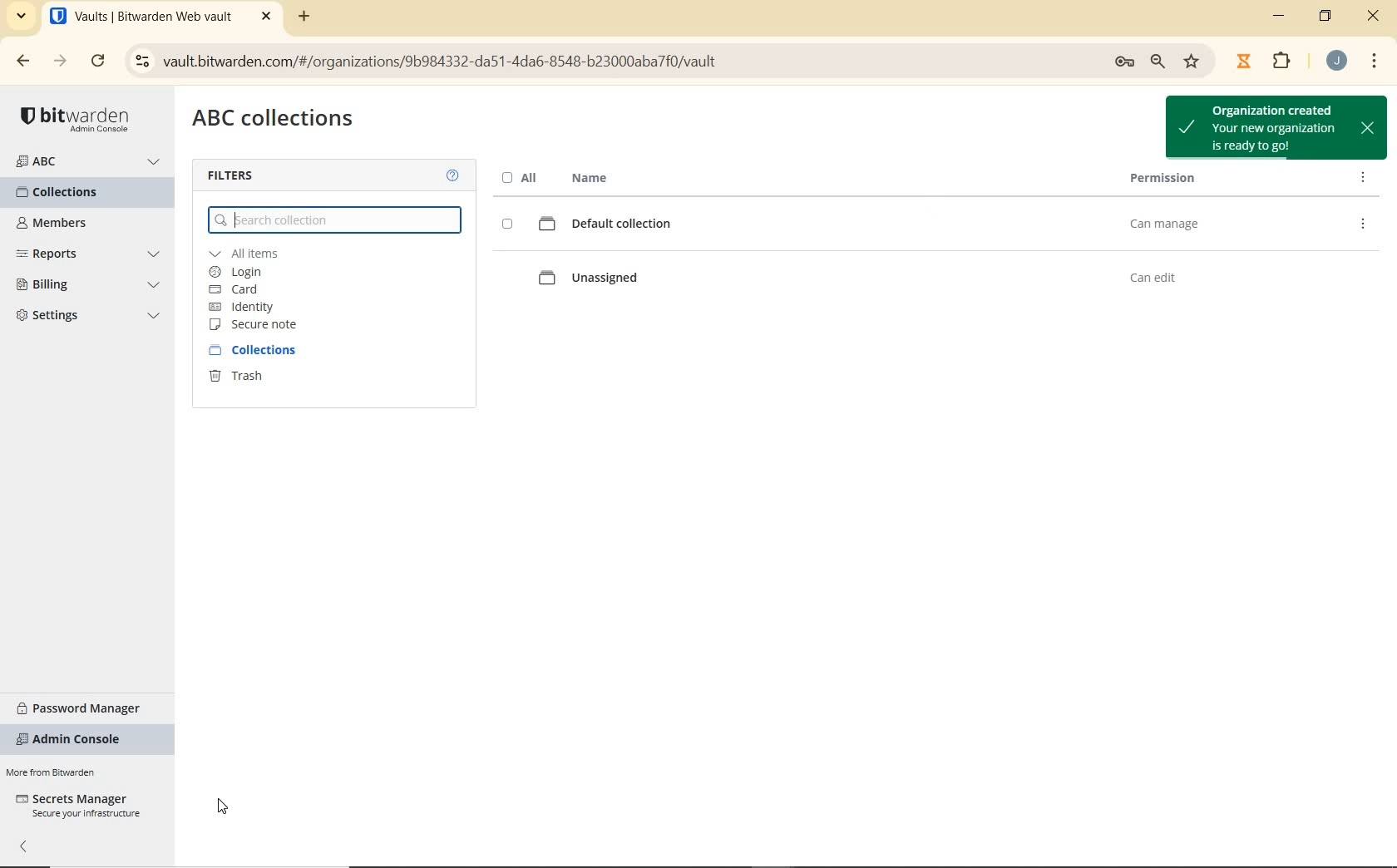  I want to click on address bar, so click(600, 60).